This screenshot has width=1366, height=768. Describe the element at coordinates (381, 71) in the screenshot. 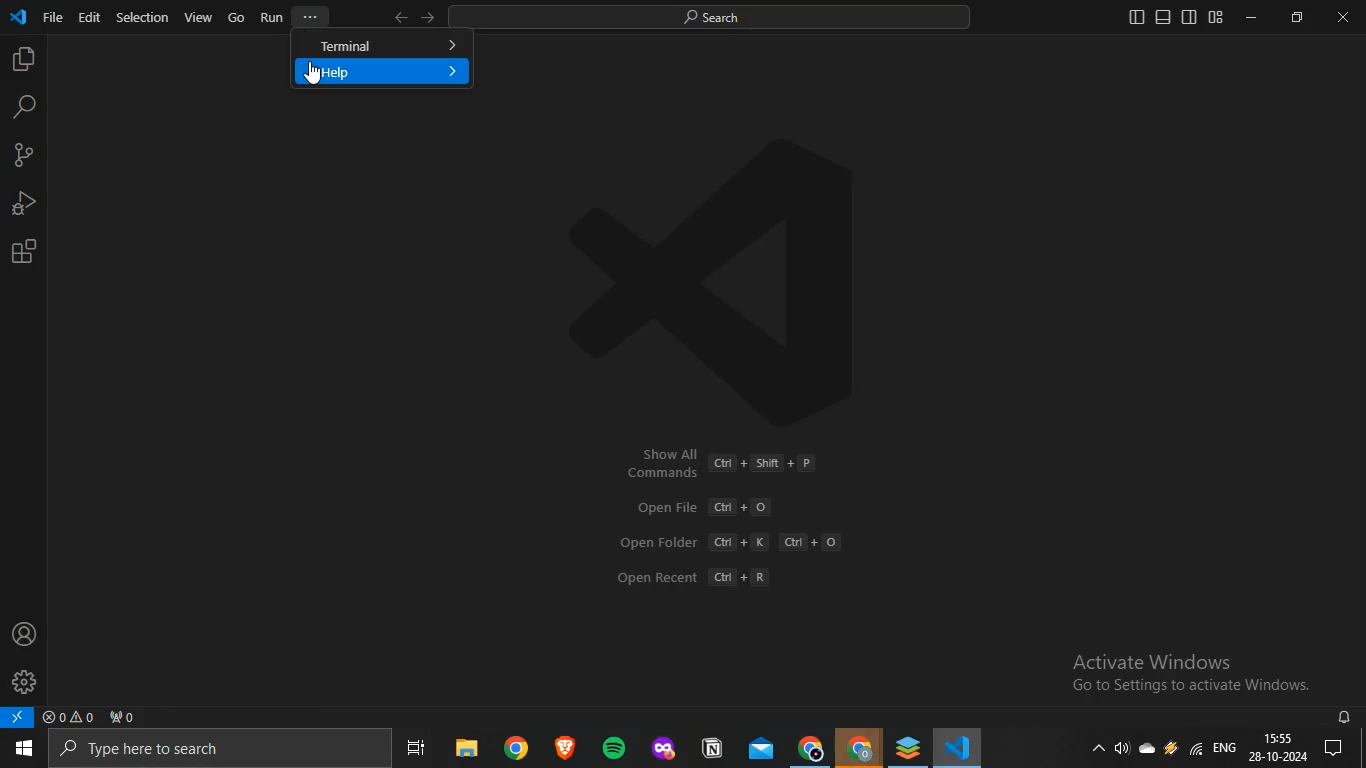

I see `help` at that location.